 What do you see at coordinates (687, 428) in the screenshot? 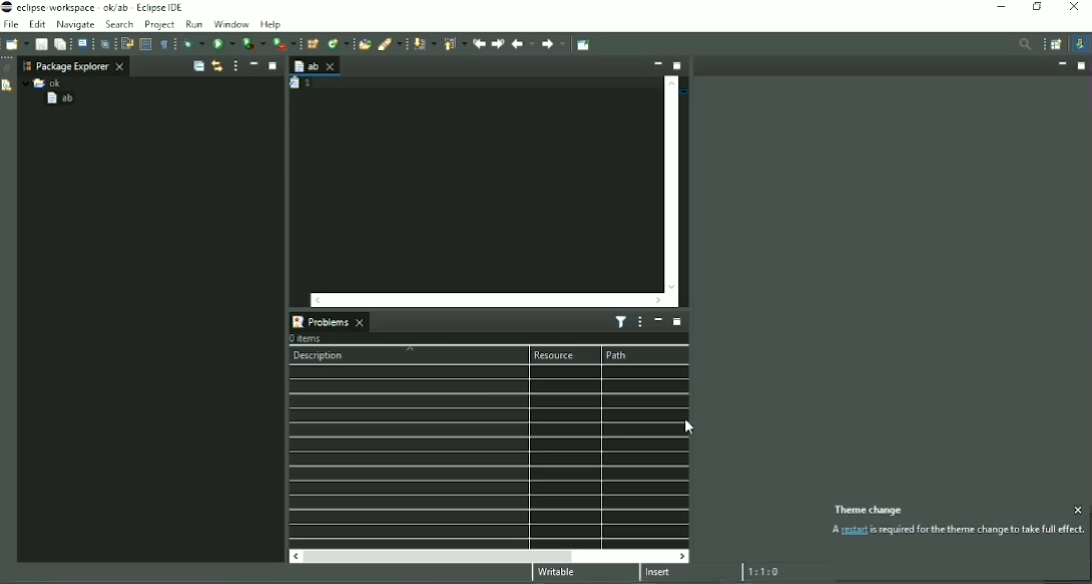
I see `Cursor` at bounding box center [687, 428].